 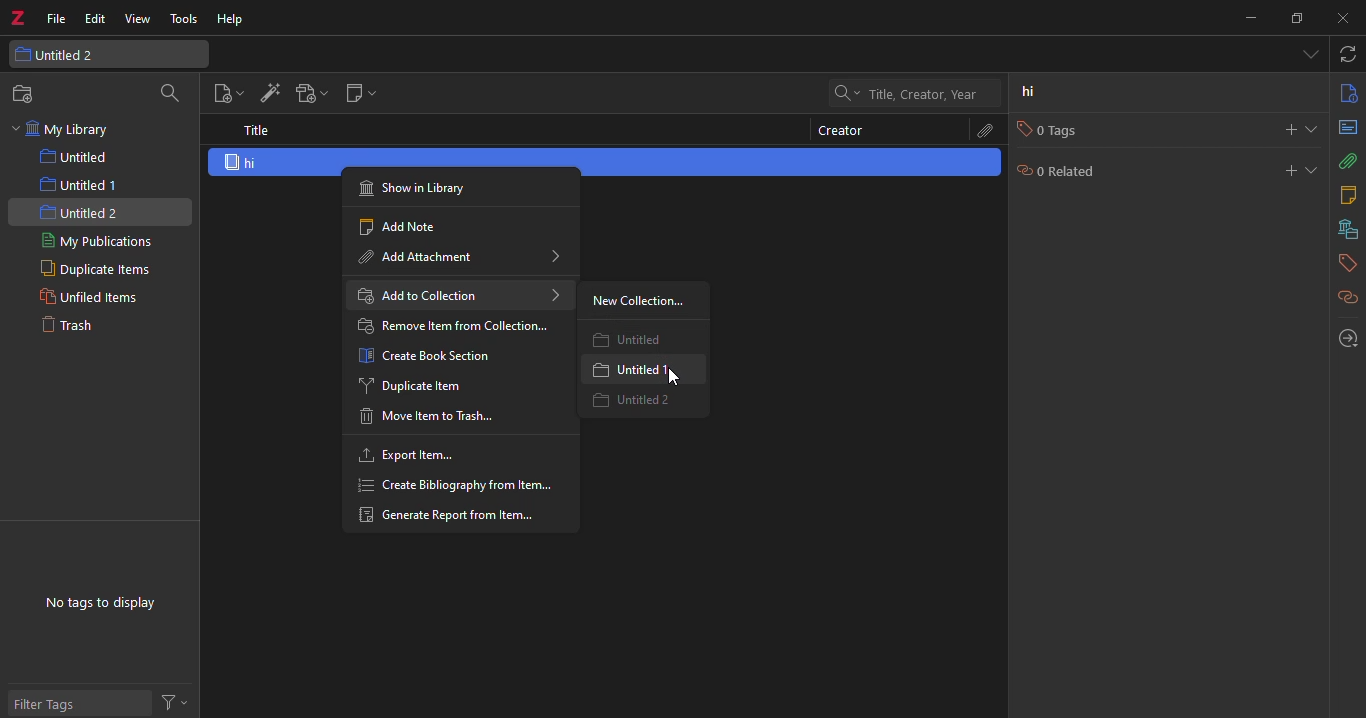 What do you see at coordinates (394, 227) in the screenshot?
I see `add note` at bounding box center [394, 227].